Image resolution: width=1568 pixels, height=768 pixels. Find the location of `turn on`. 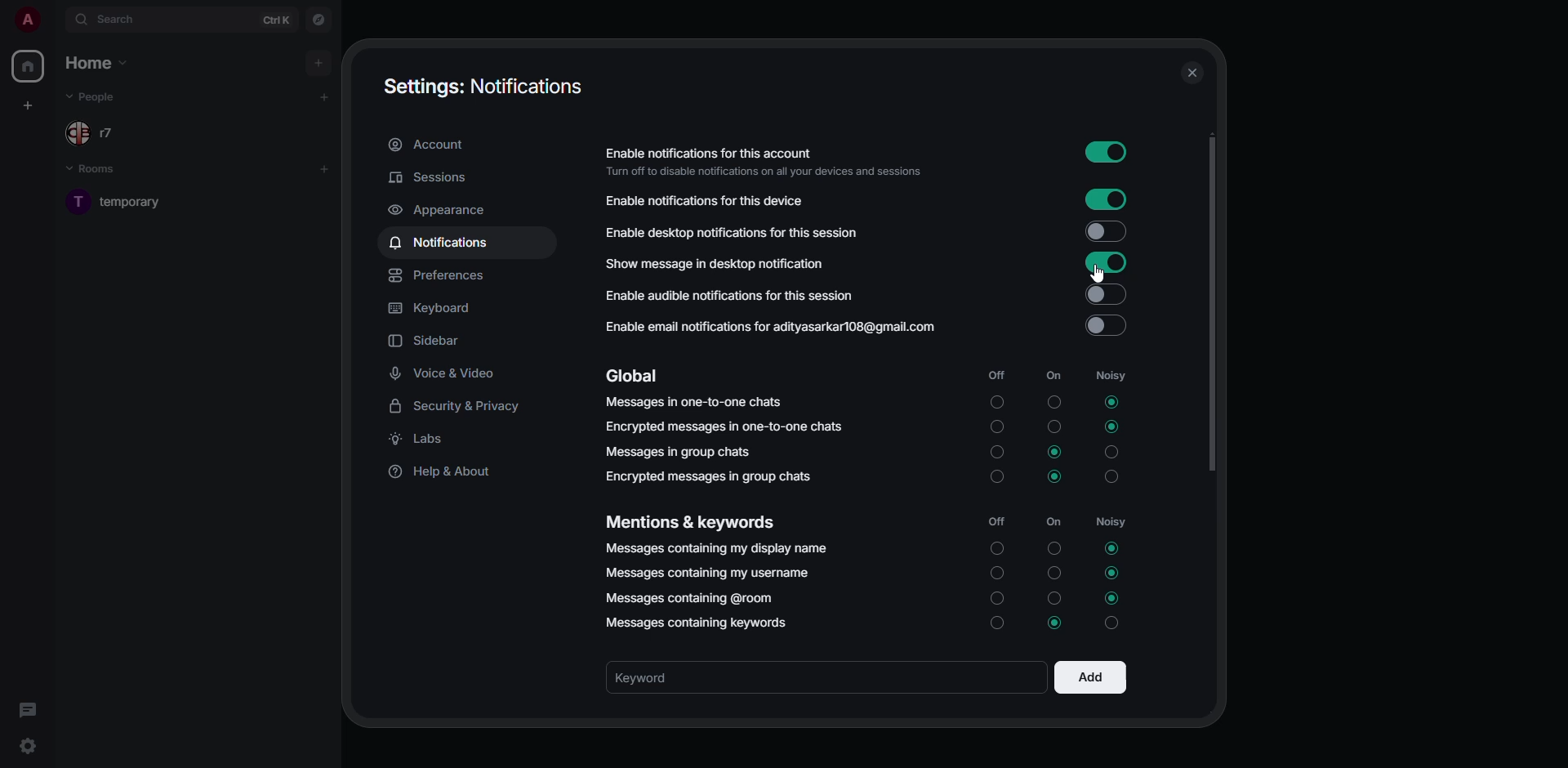

turn on is located at coordinates (995, 480).